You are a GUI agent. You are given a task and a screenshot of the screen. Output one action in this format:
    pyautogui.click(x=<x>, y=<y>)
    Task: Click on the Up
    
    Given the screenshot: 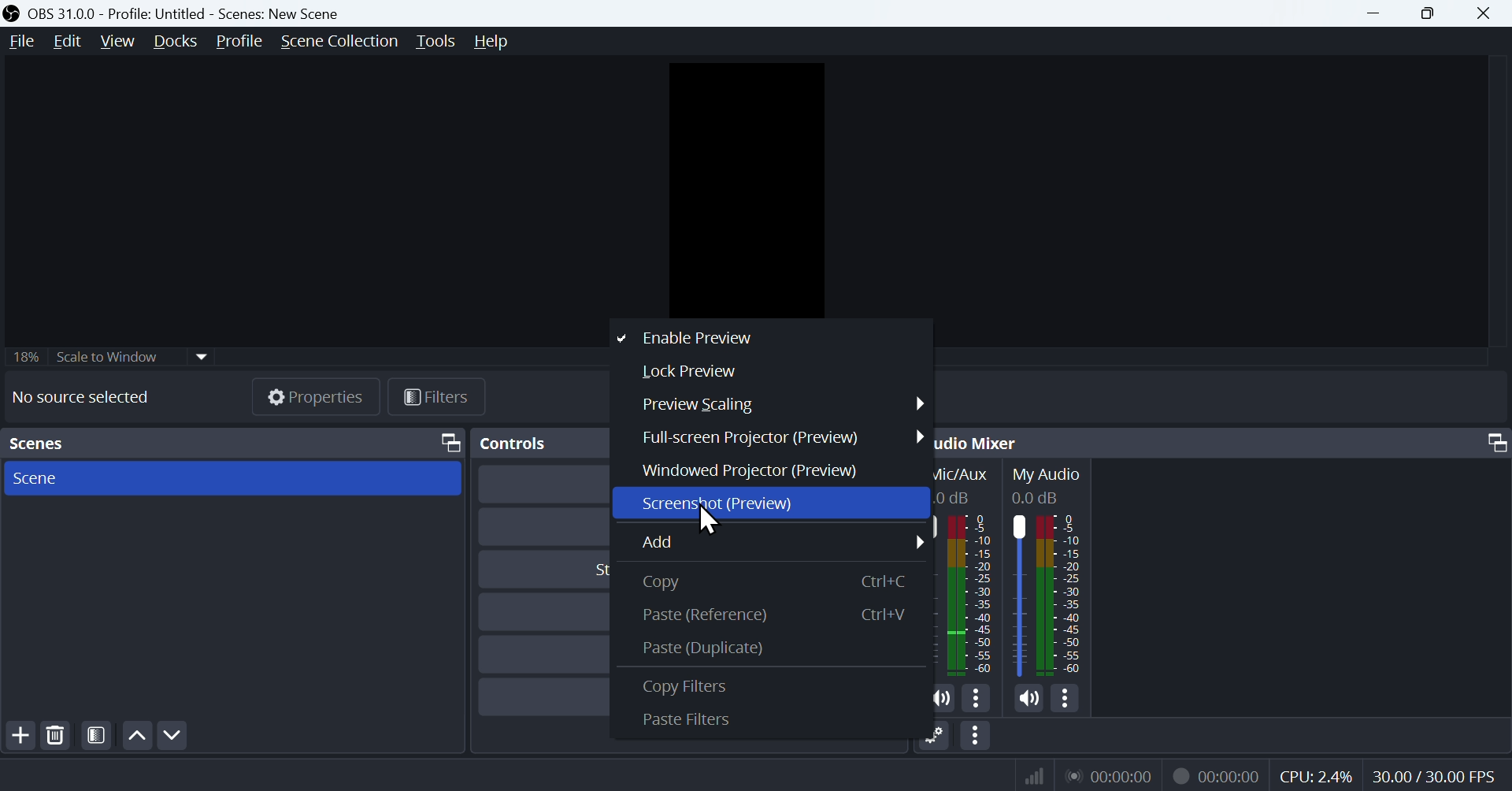 What is the action you would take?
    pyautogui.click(x=135, y=733)
    